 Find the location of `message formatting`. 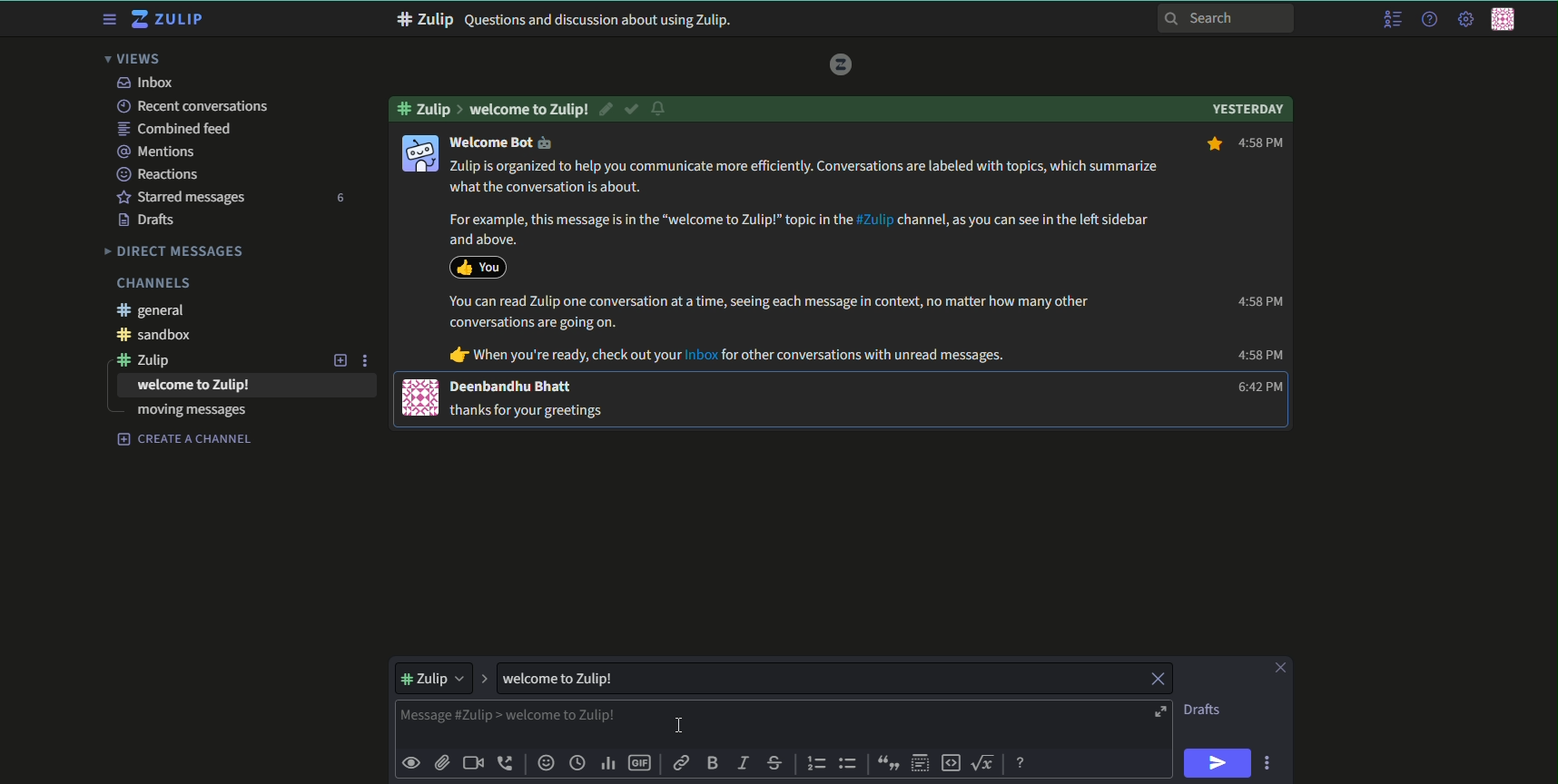

message formatting is located at coordinates (1022, 760).